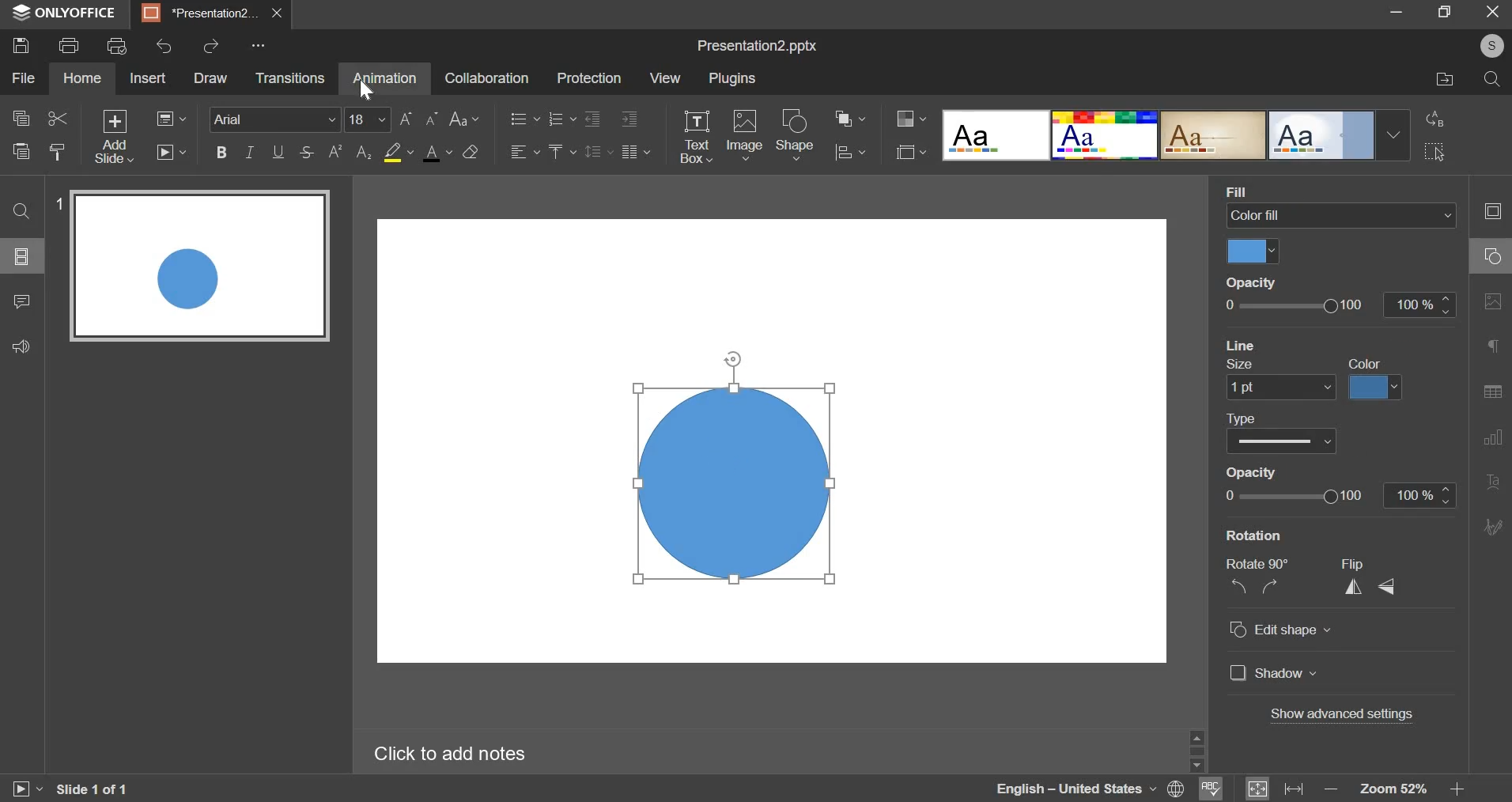 This screenshot has height=802, width=1512. What do you see at coordinates (366, 93) in the screenshot?
I see `cursor` at bounding box center [366, 93].